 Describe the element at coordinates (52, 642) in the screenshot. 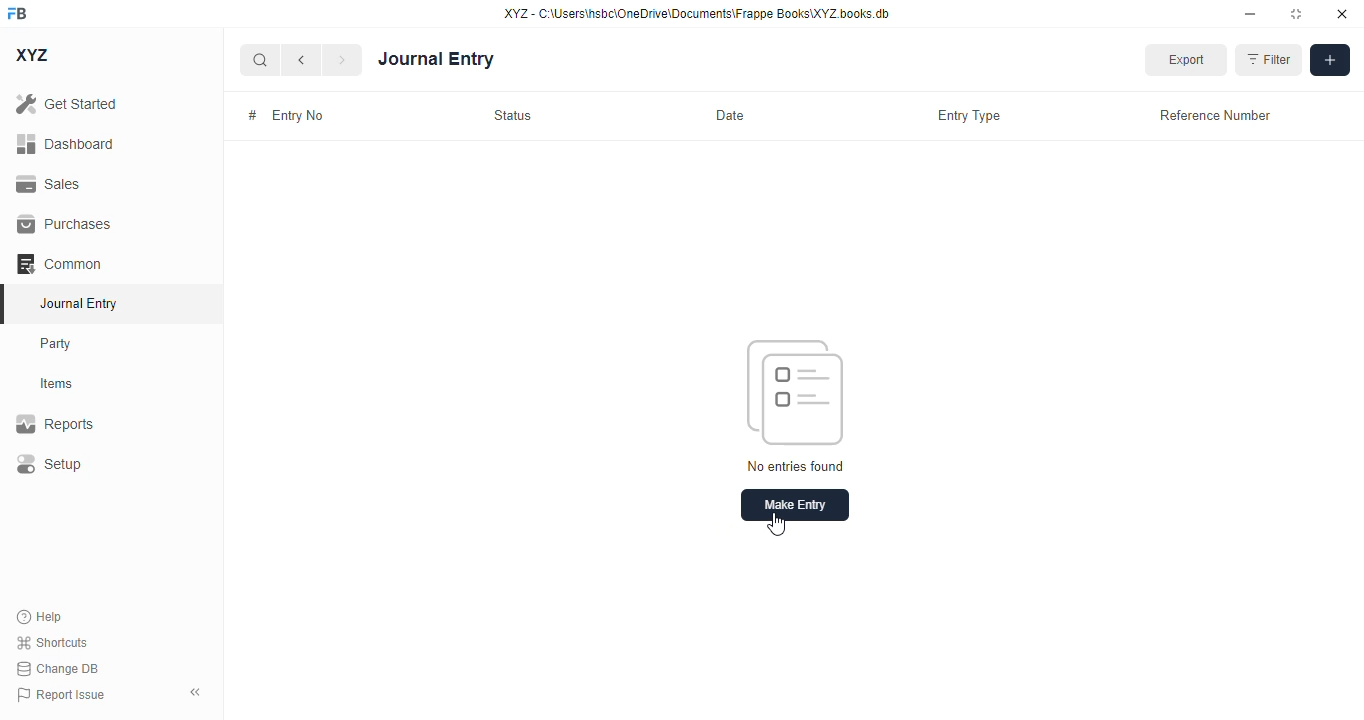

I see `shortcuts` at that location.